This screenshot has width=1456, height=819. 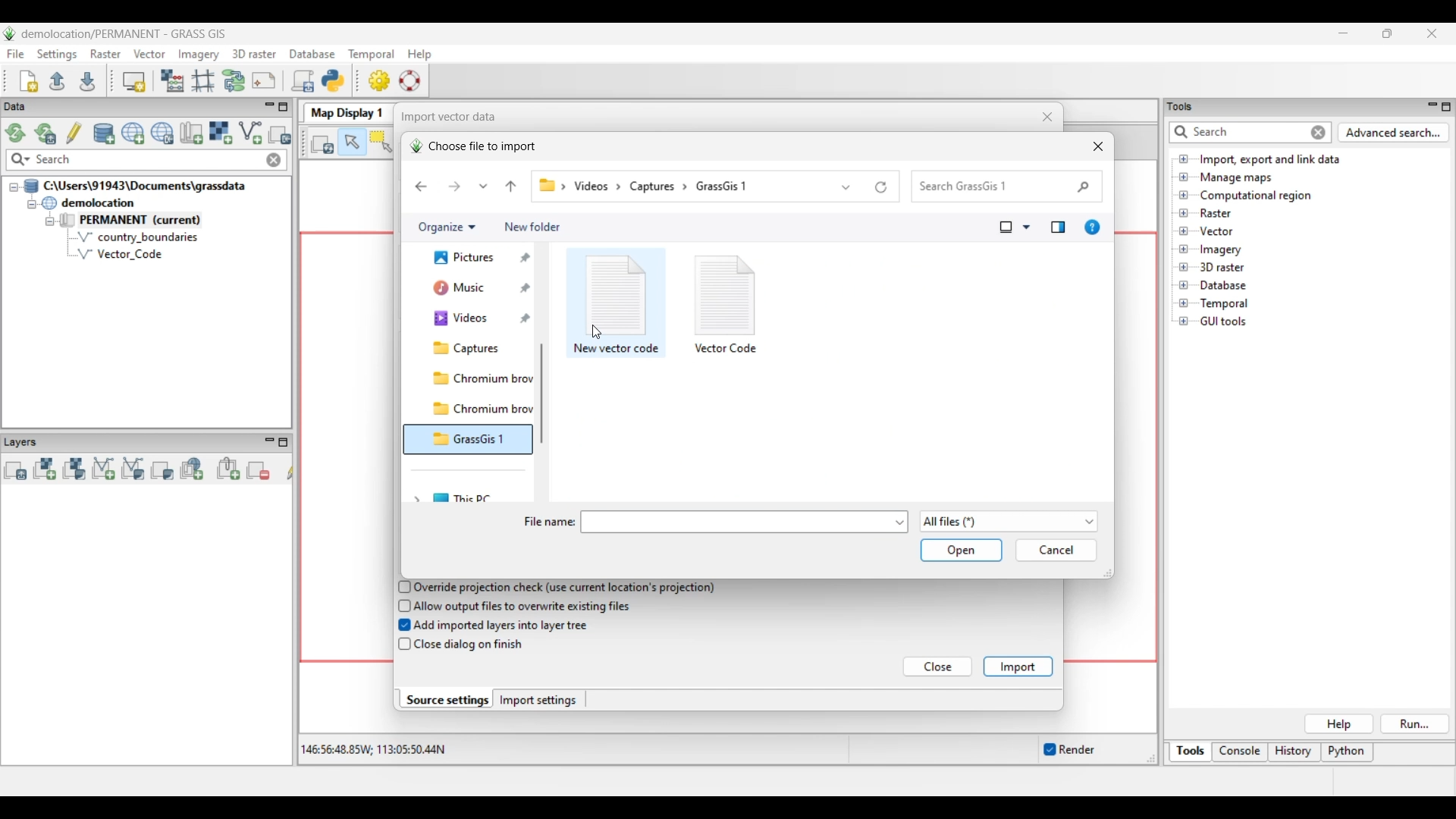 I want to click on Add vector map layer, so click(x=104, y=469).